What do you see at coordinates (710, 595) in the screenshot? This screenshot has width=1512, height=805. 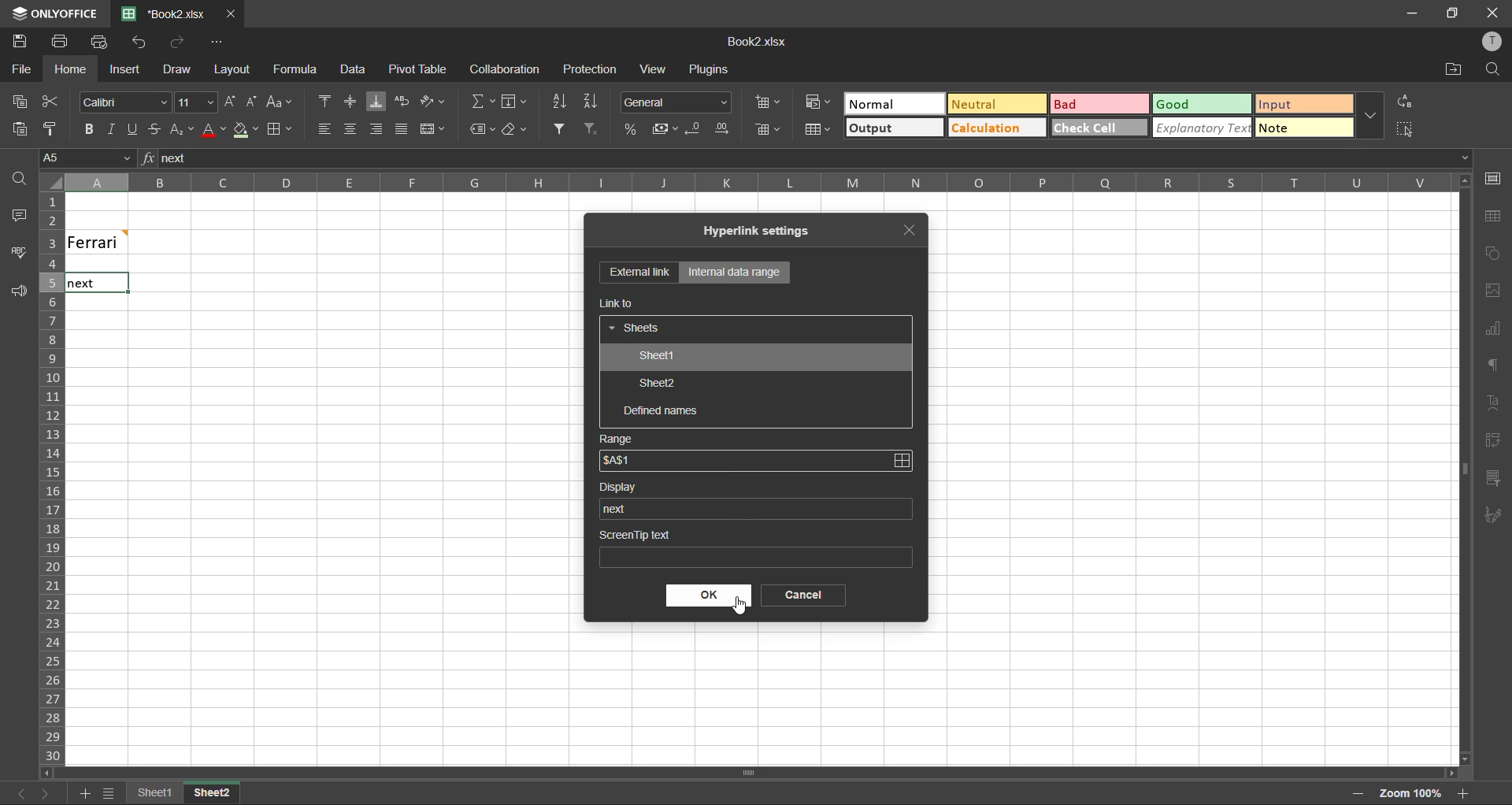 I see `ok` at bounding box center [710, 595].